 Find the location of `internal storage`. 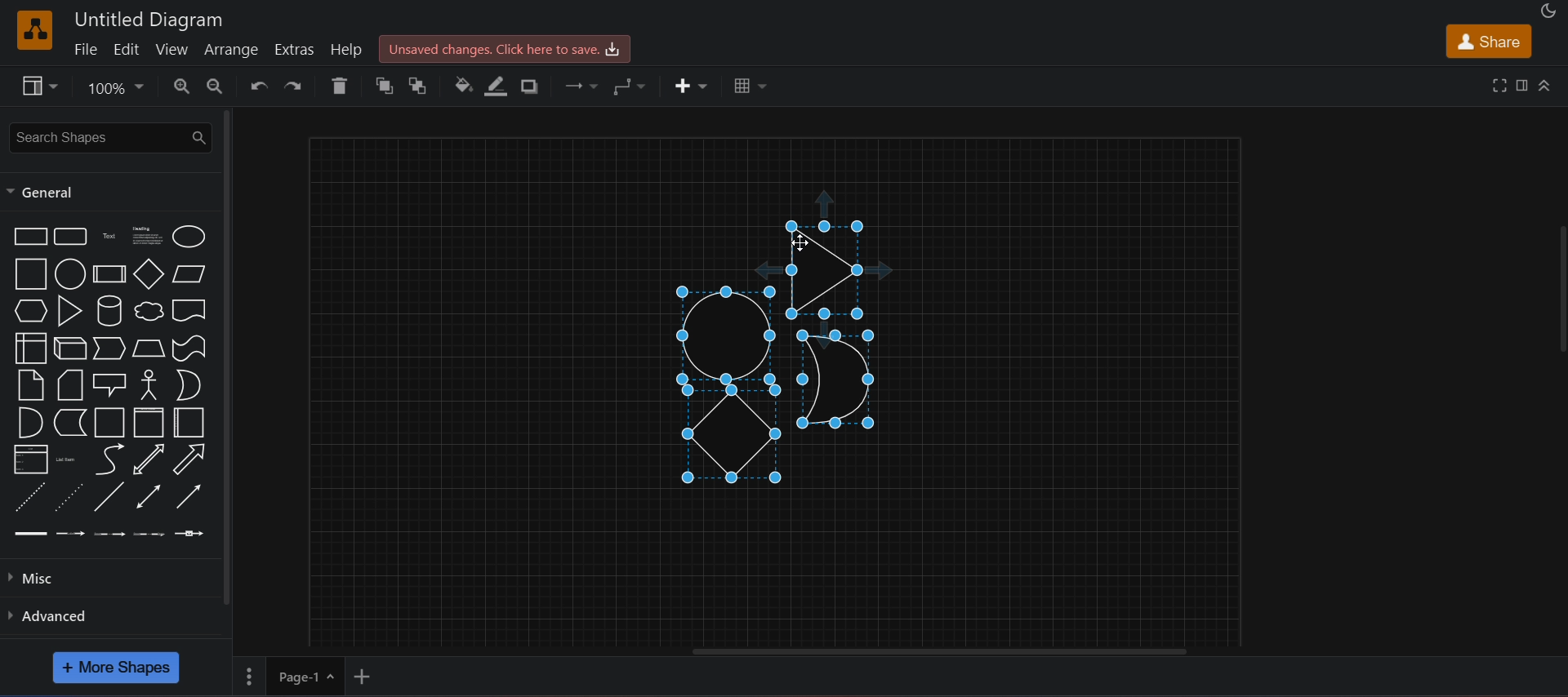

internal storage is located at coordinates (30, 348).